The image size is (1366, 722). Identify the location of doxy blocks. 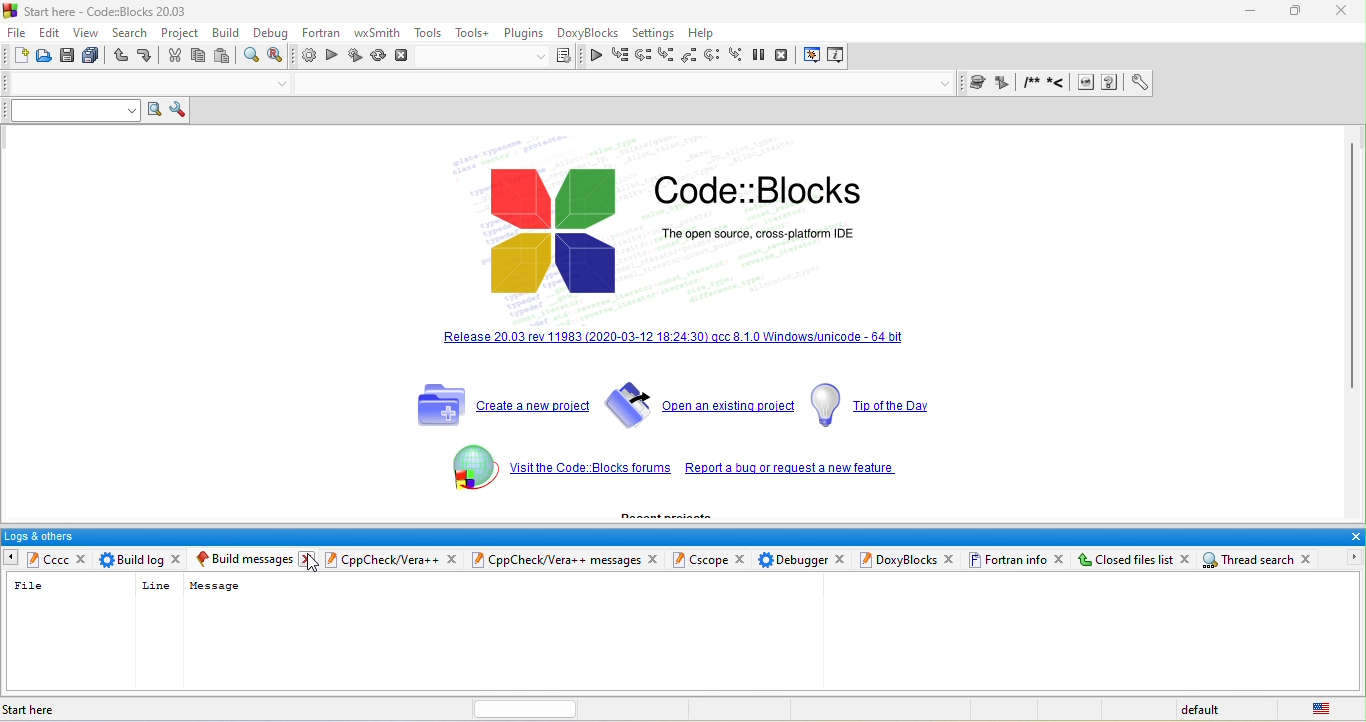
(898, 561).